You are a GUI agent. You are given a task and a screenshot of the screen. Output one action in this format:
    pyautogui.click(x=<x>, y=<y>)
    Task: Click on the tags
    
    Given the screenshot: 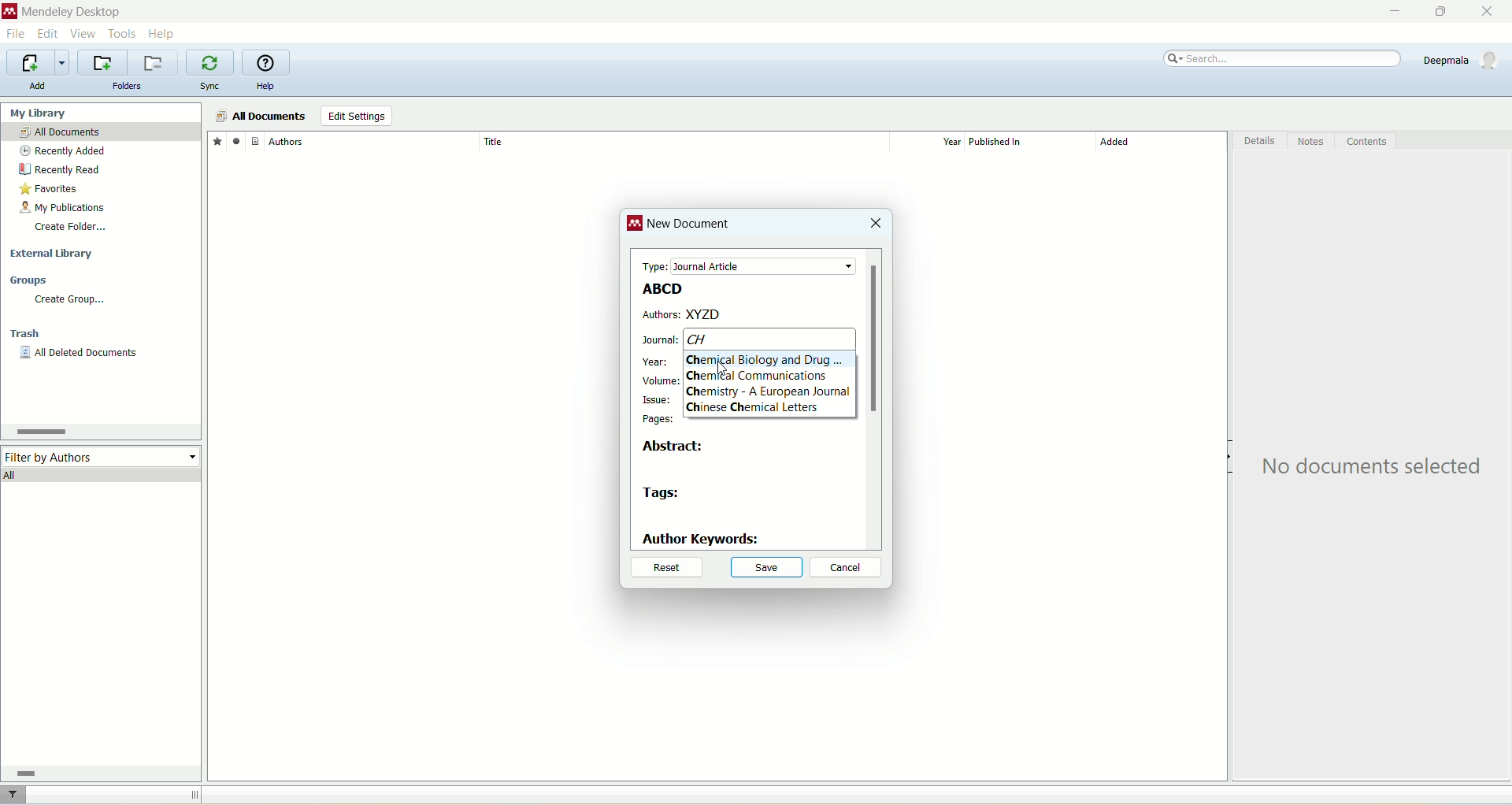 What is the action you would take?
    pyautogui.click(x=663, y=495)
    